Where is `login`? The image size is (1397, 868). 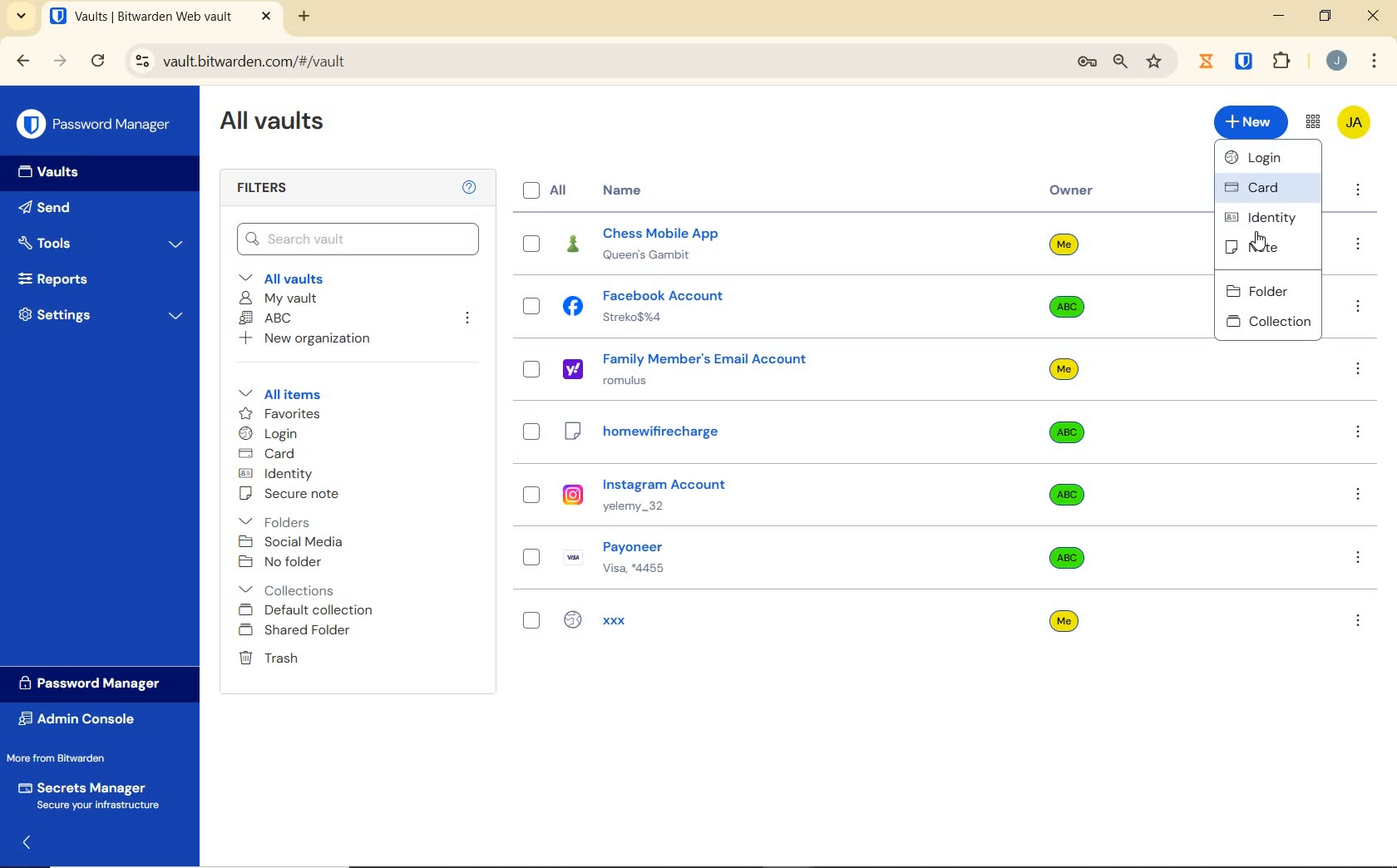
login is located at coordinates (272, 435).